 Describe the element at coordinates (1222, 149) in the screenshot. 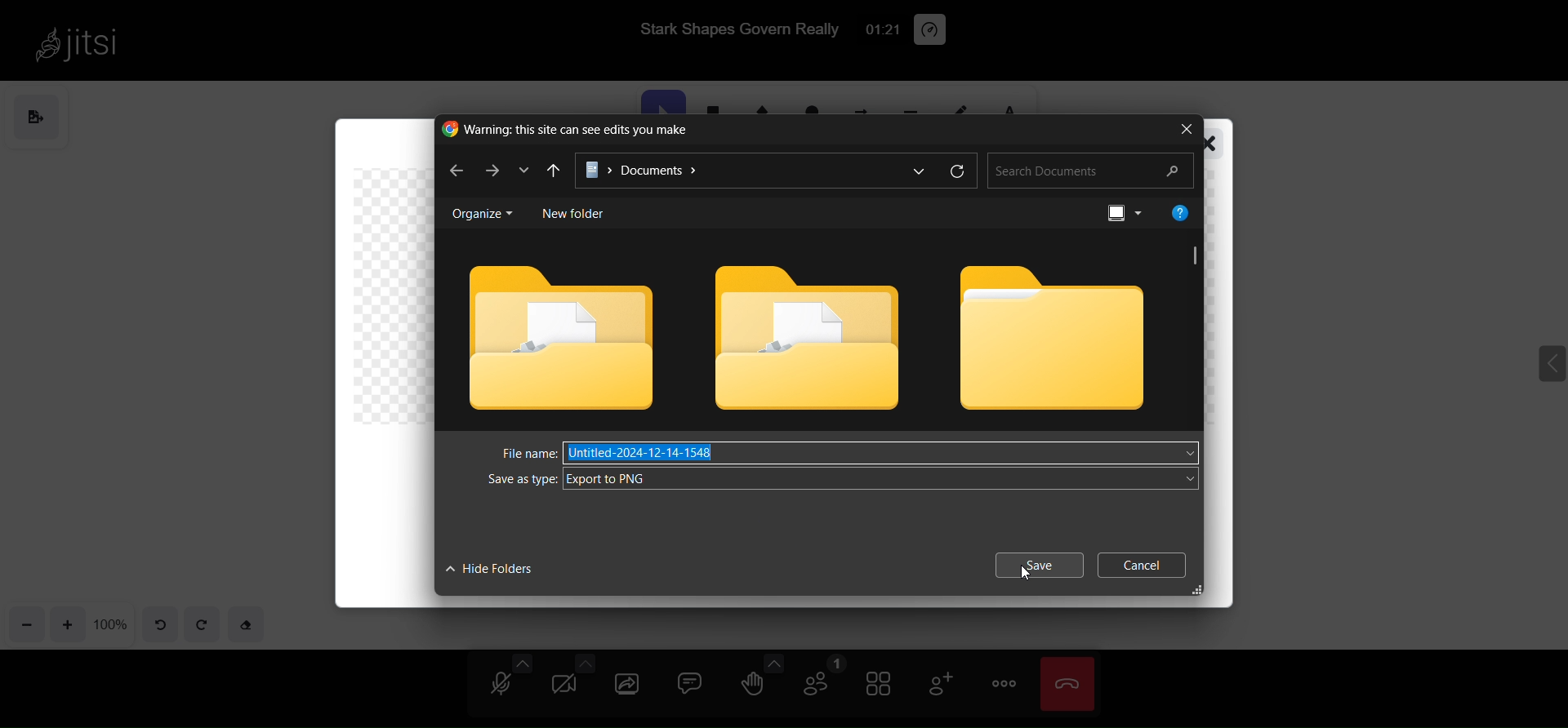

I see `close window` at that location.